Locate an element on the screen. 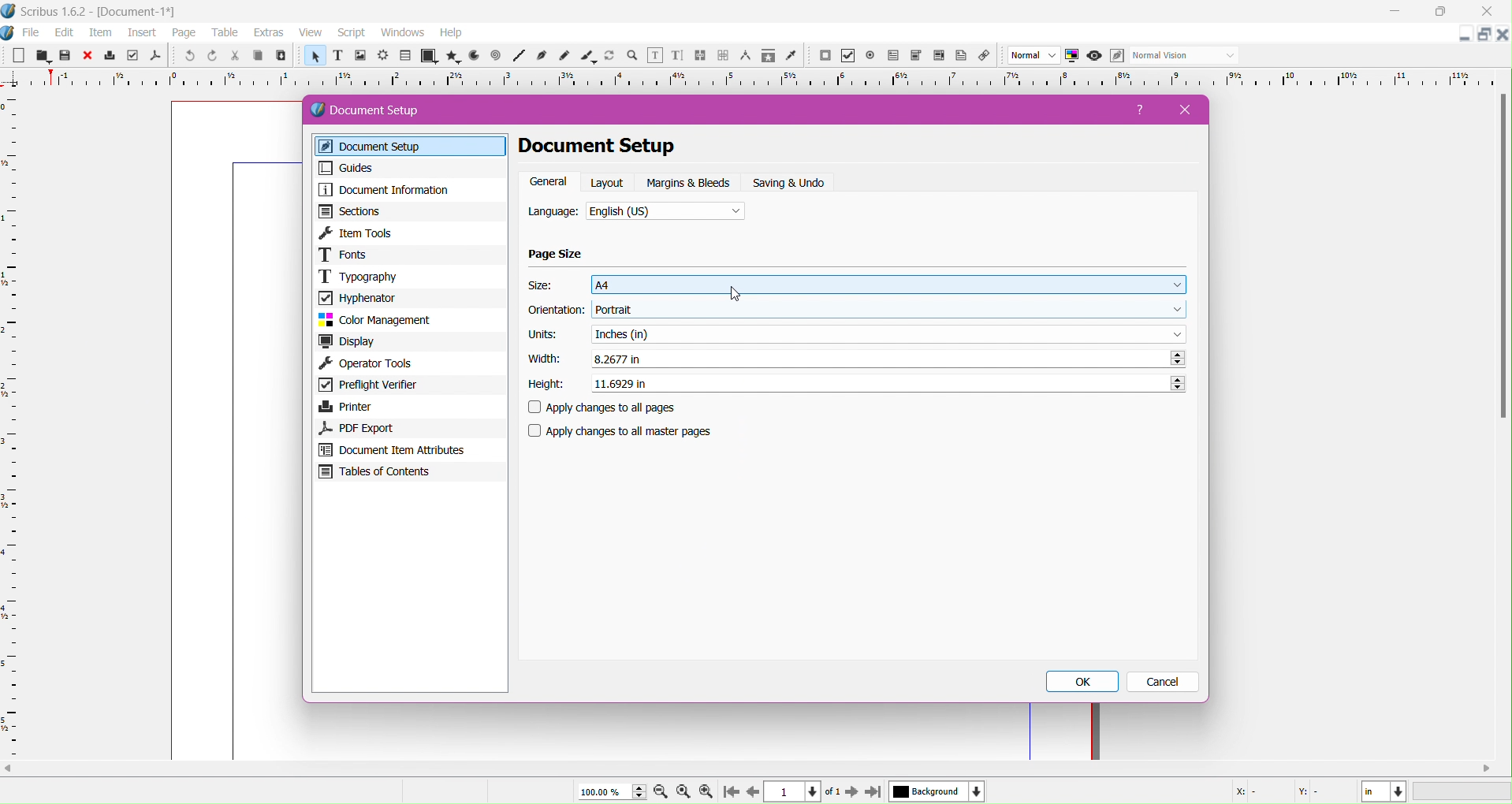  go to last page is located at coordinates (873, 793).